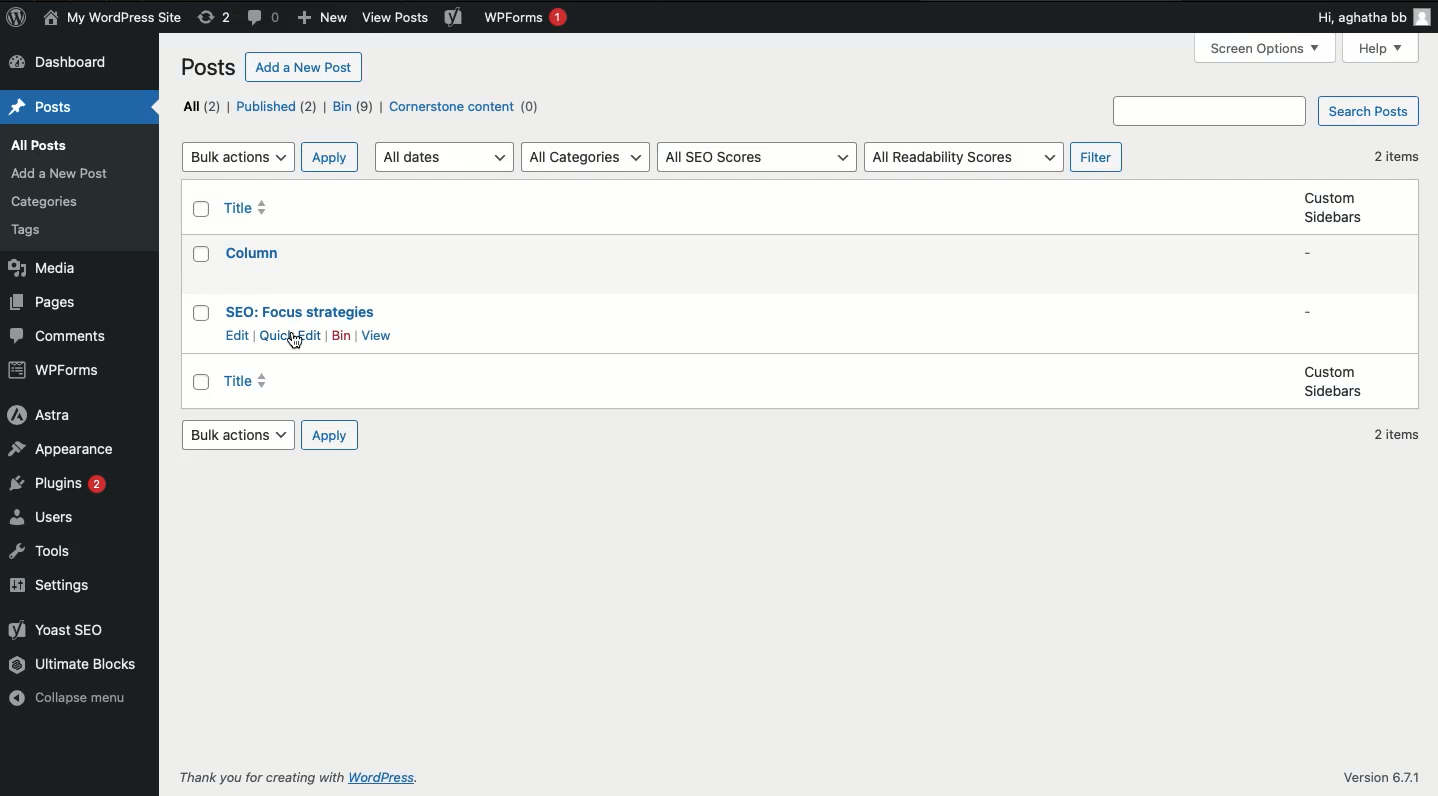 The height and width of the screenshot is (796, 1438). I want to click on Posts, so click(211, 70).